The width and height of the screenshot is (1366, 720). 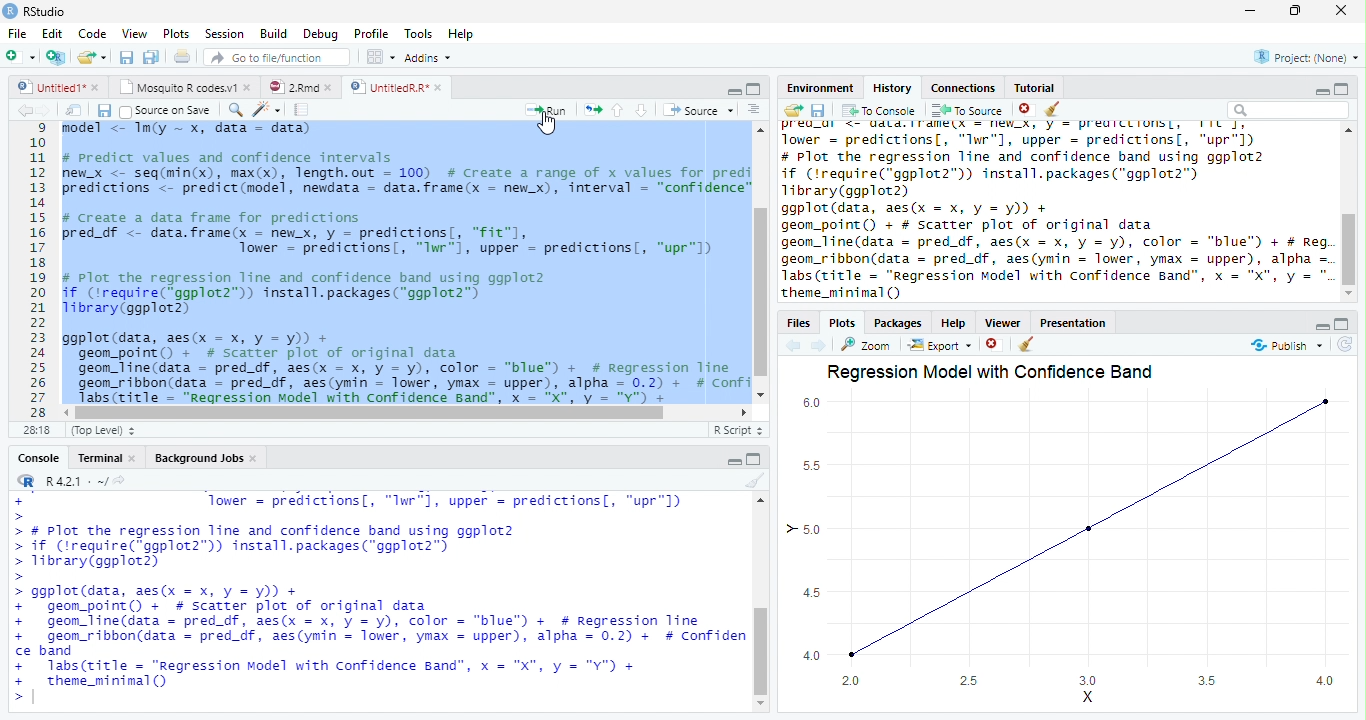 What do you see at coordinates (1004, 325) in the screenshot?
I see `Viewer` at bounding box center [1004, 325].